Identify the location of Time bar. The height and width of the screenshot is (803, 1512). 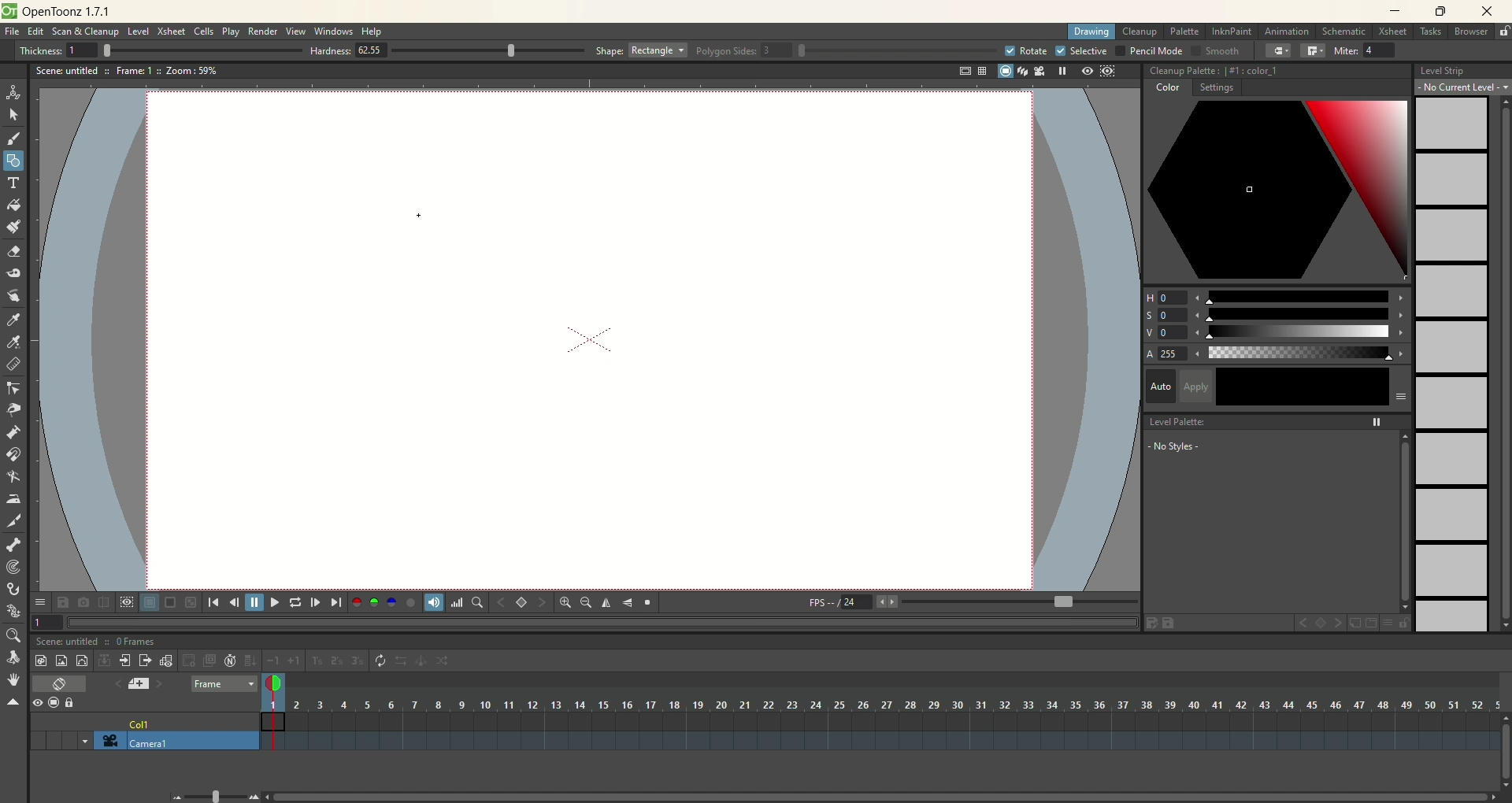
(893, 705).